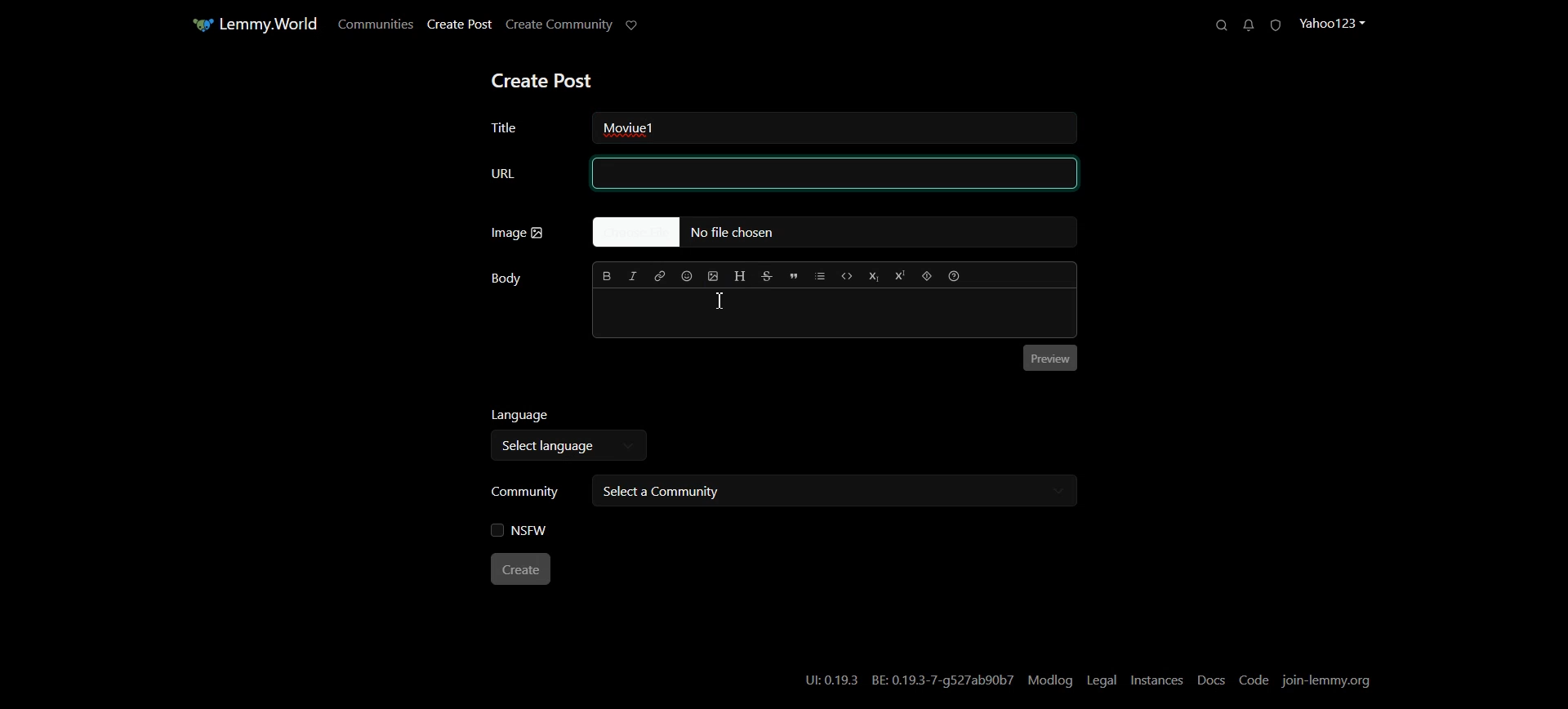 Image resolution: width=1568 pixels, height=709 pixels. I want to click on Select language, so click(563, 448).